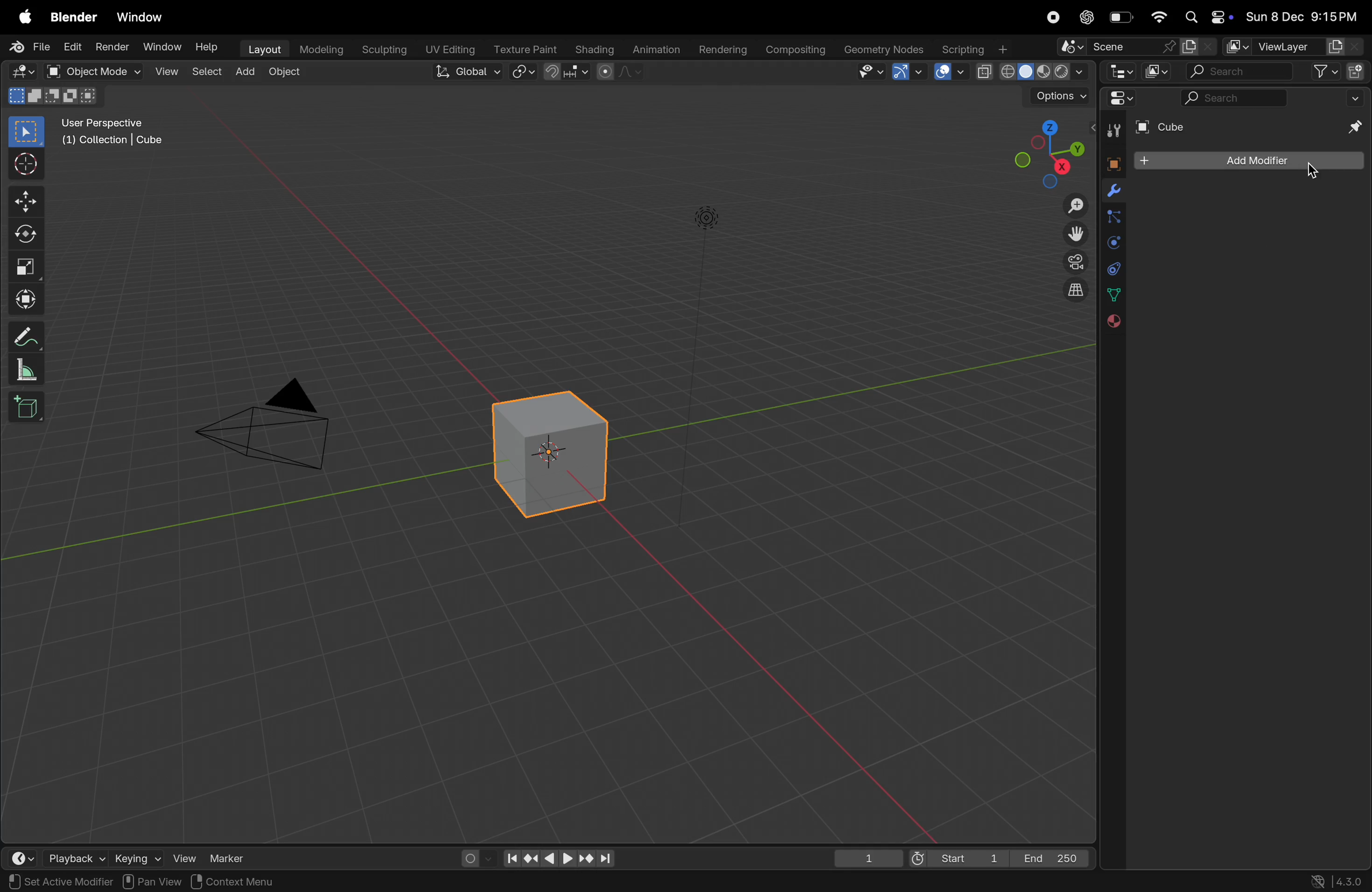 The height and width of the screenshot is (892, 1372). Describe the element at coordinates (1352, 128) in the screenshot. I see `toggle pin id` at that location.